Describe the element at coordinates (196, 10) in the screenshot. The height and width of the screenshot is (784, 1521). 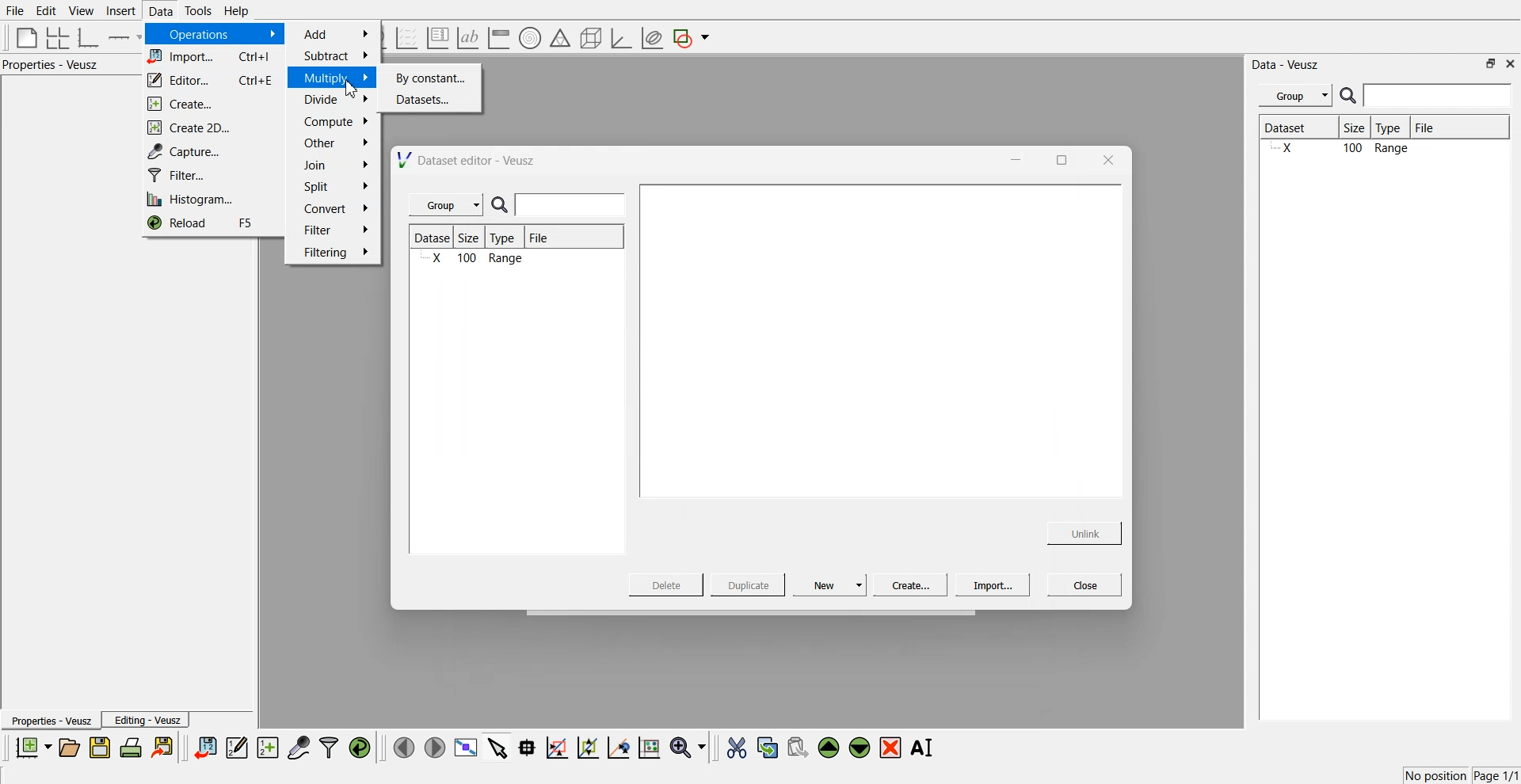
I see `Tools` at that location.